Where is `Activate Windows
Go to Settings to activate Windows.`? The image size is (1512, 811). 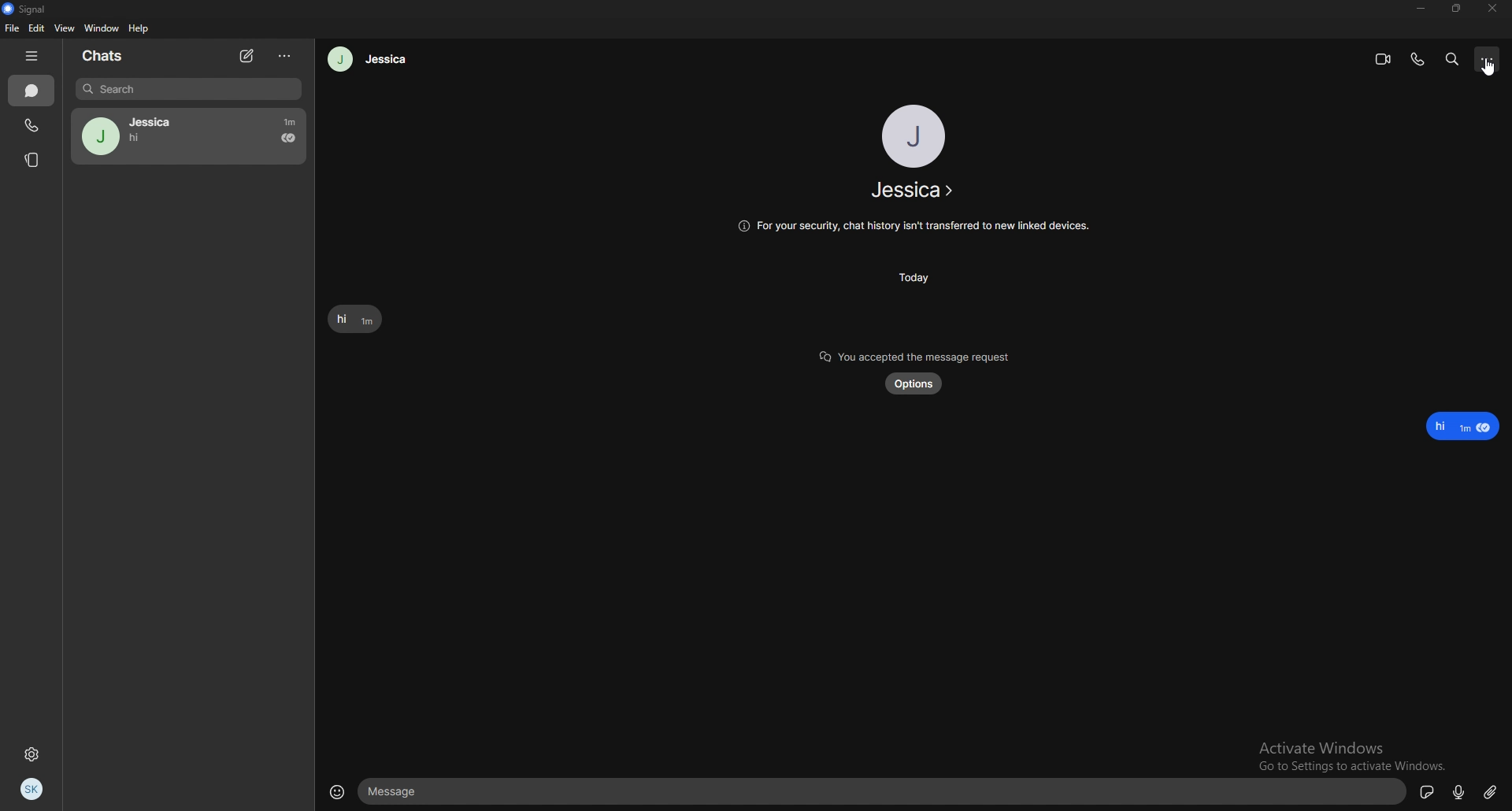 Activate Windows
Go to Settings to activate Windows. is located at coordinates (1353, 748).